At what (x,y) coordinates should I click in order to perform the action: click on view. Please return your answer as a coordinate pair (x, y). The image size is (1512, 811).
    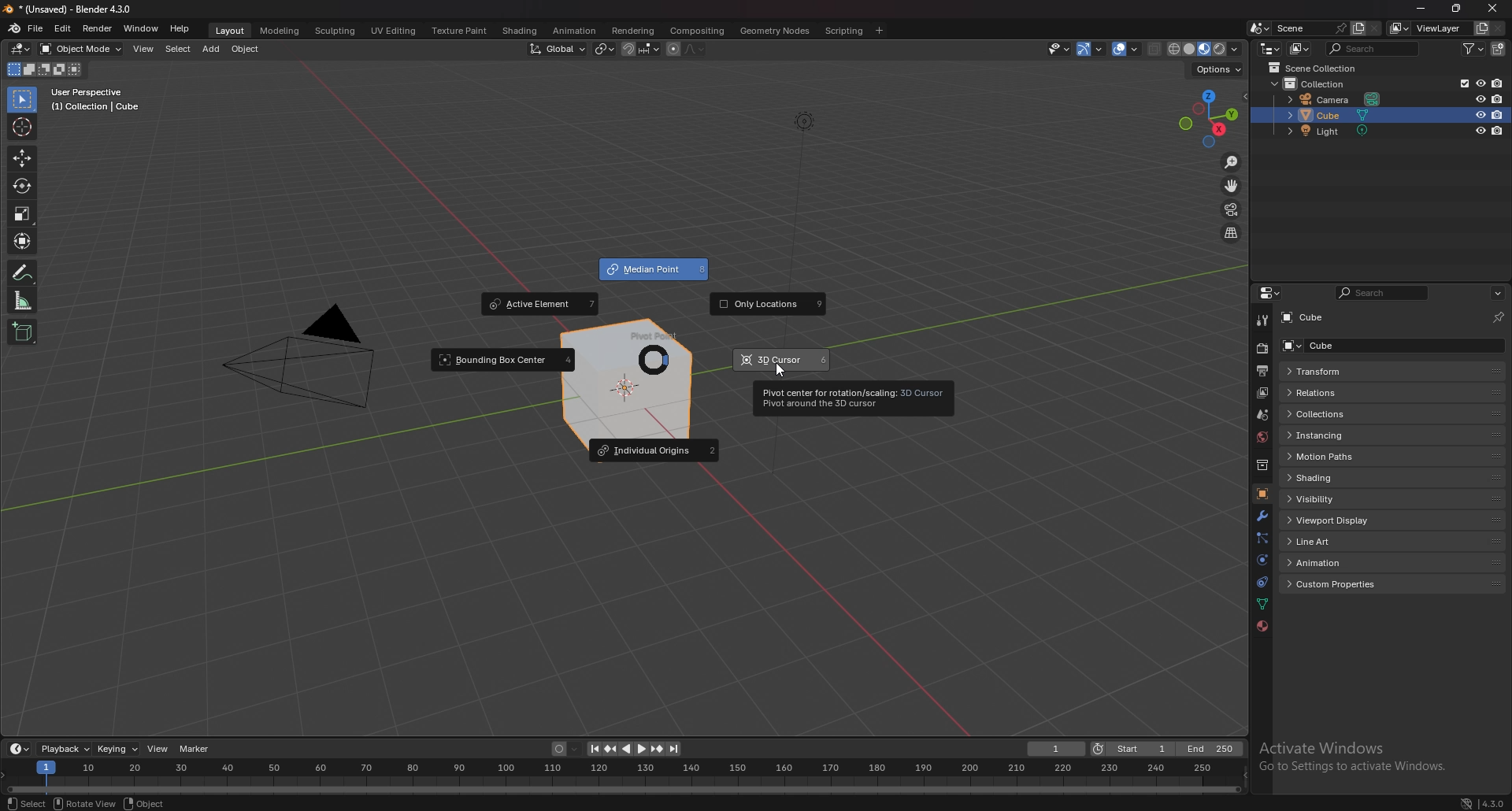
    Looking at the image, I should click on (157, 749).